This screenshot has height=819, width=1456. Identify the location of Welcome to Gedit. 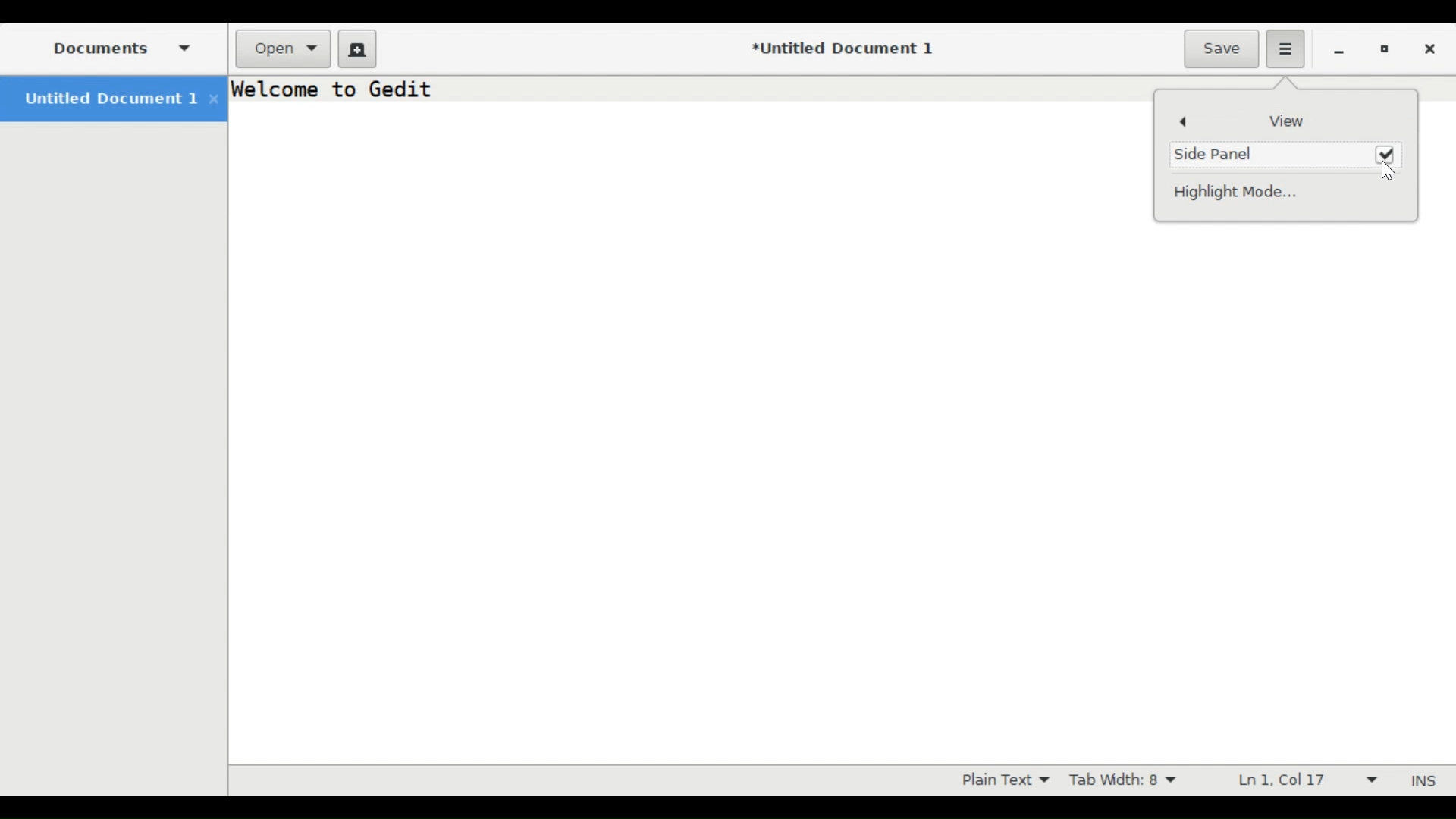
(336, 89).